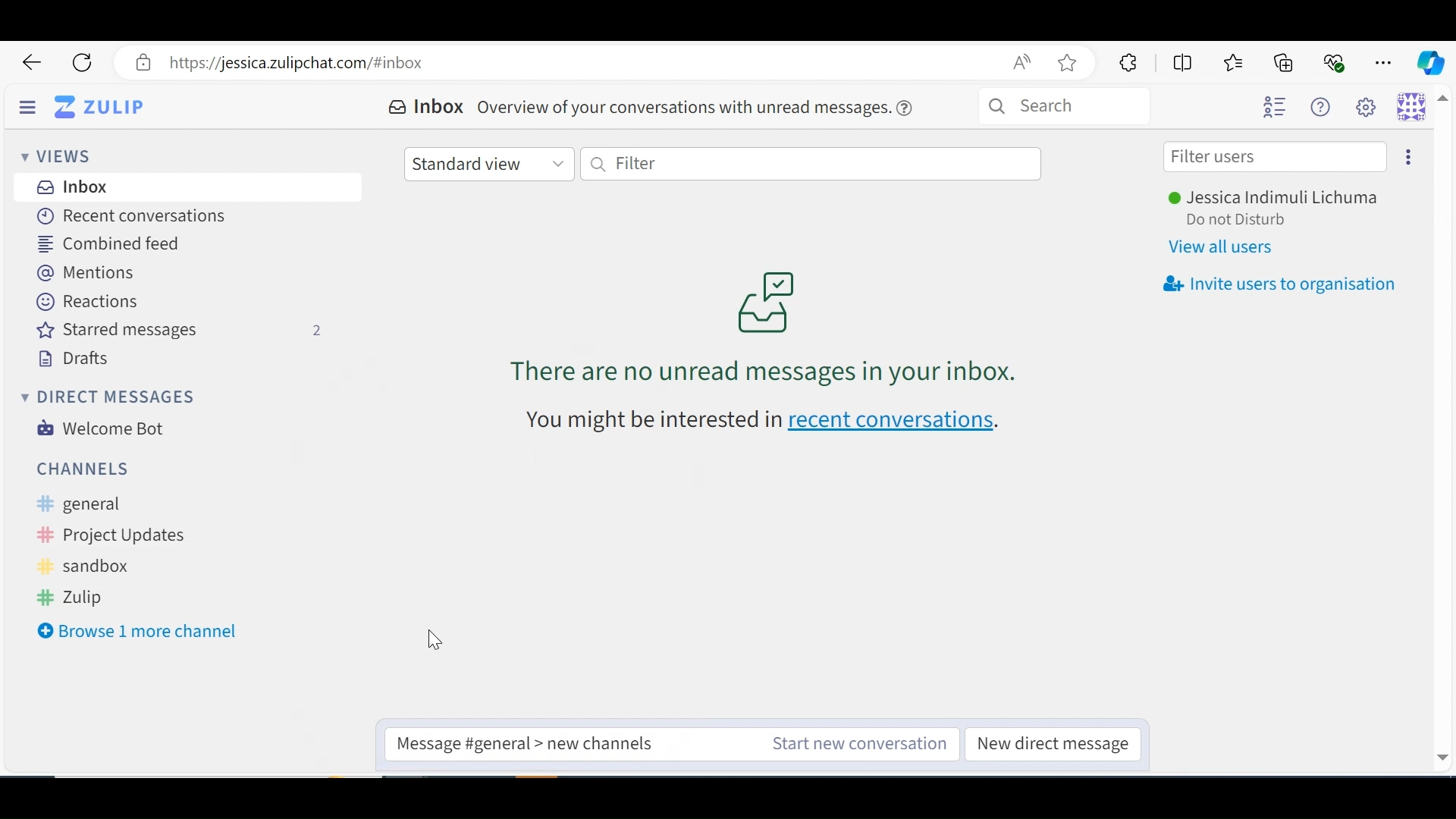 The width and height of the screenshot is (1456, 819). I want to click on overview, so click(701, 106).